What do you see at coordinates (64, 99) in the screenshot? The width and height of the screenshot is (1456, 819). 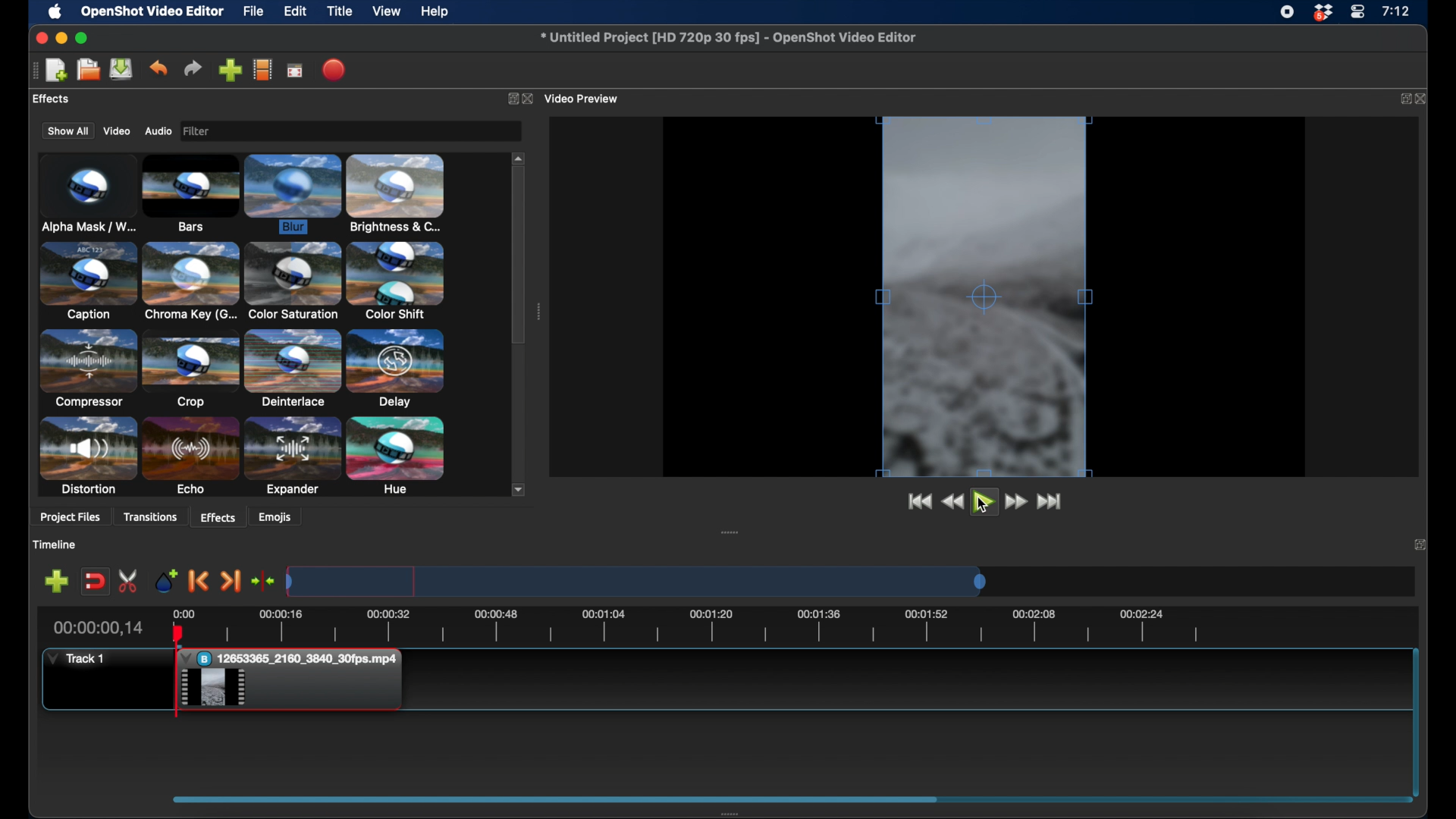 I see `project files` at bounding box center [64, 99].